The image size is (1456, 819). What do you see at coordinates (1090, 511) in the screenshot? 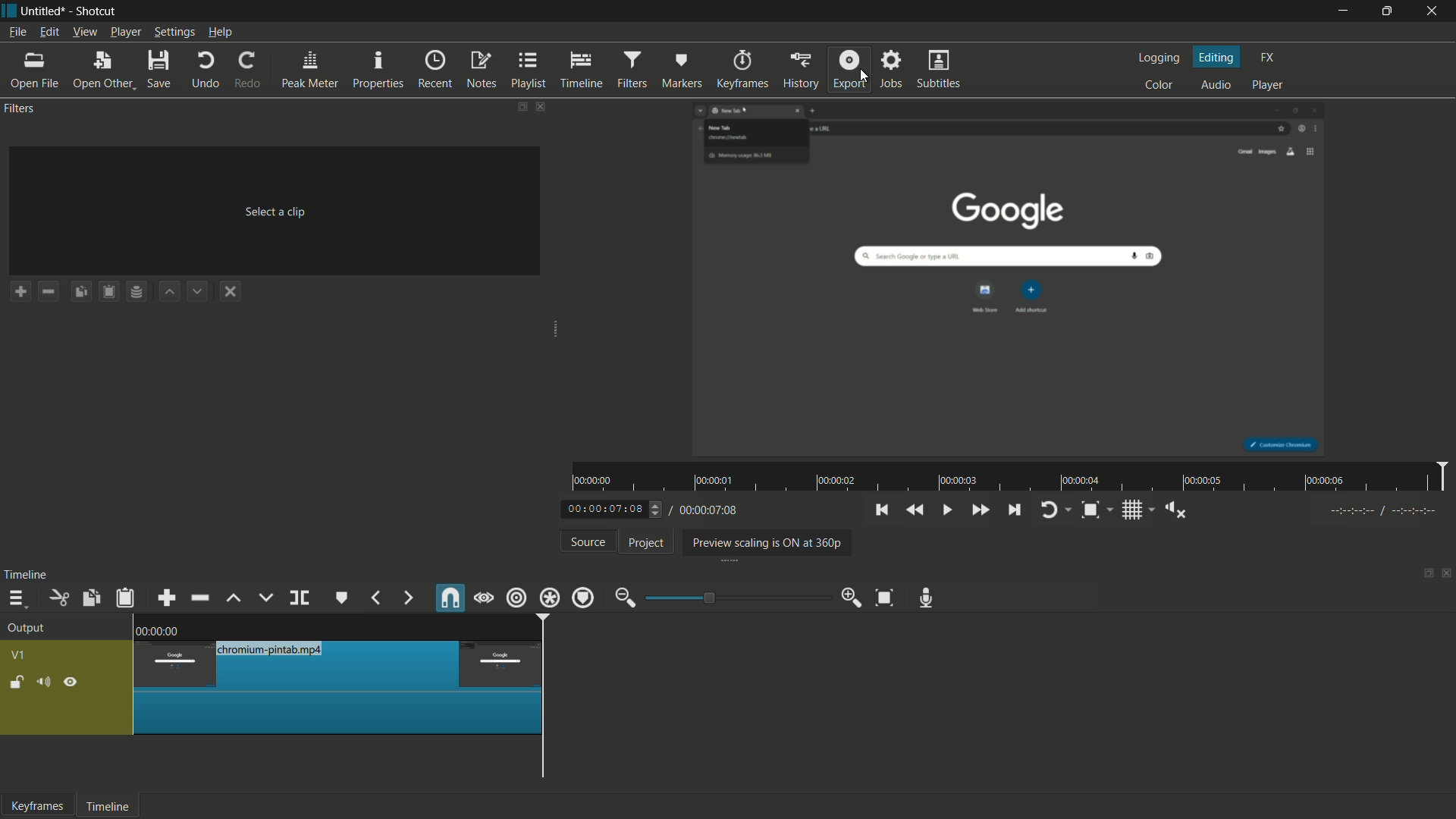
I see `toggle zoom` at bounding box center [1090, 511].